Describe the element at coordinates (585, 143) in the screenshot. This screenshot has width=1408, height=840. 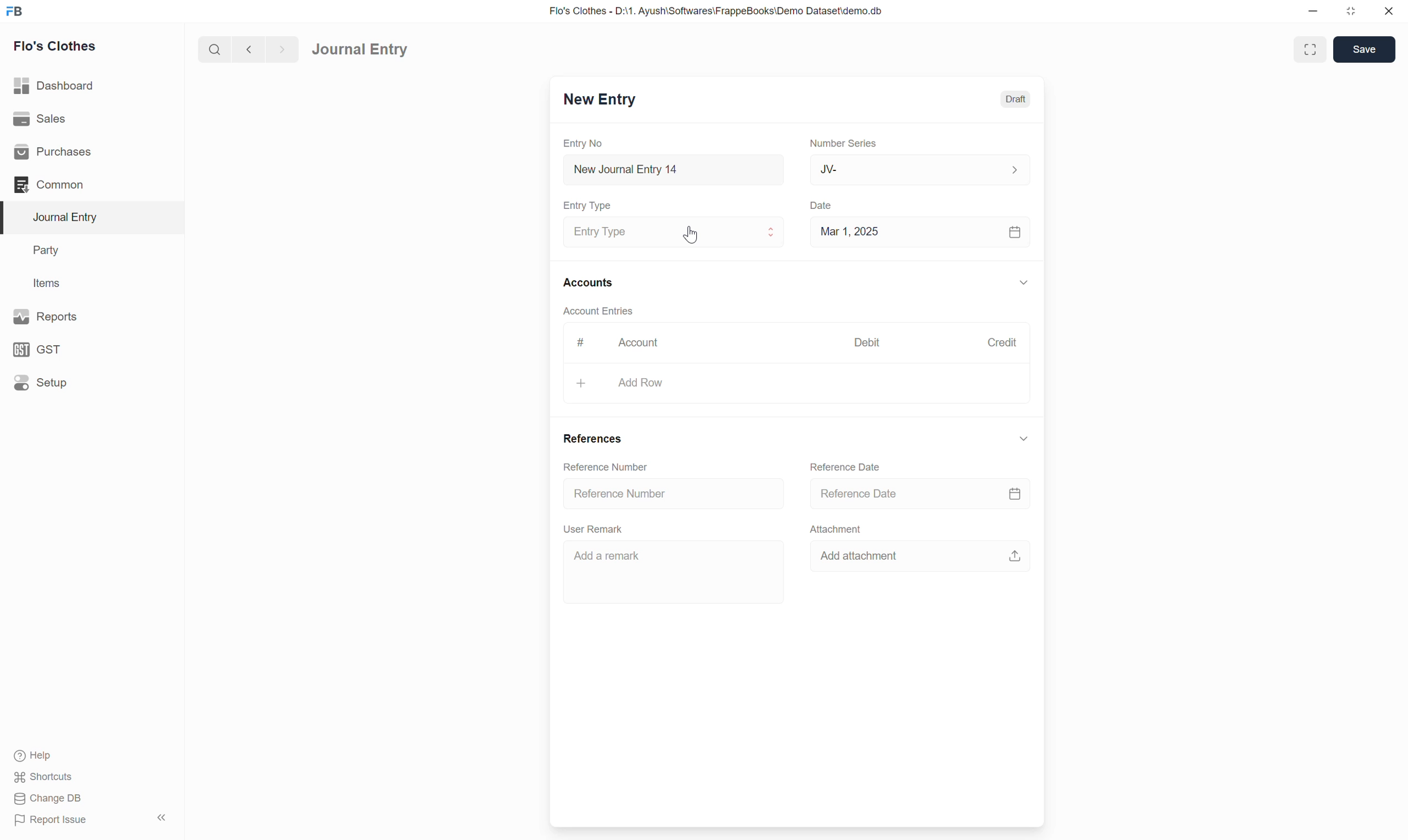
I see `Entry No` at that location.